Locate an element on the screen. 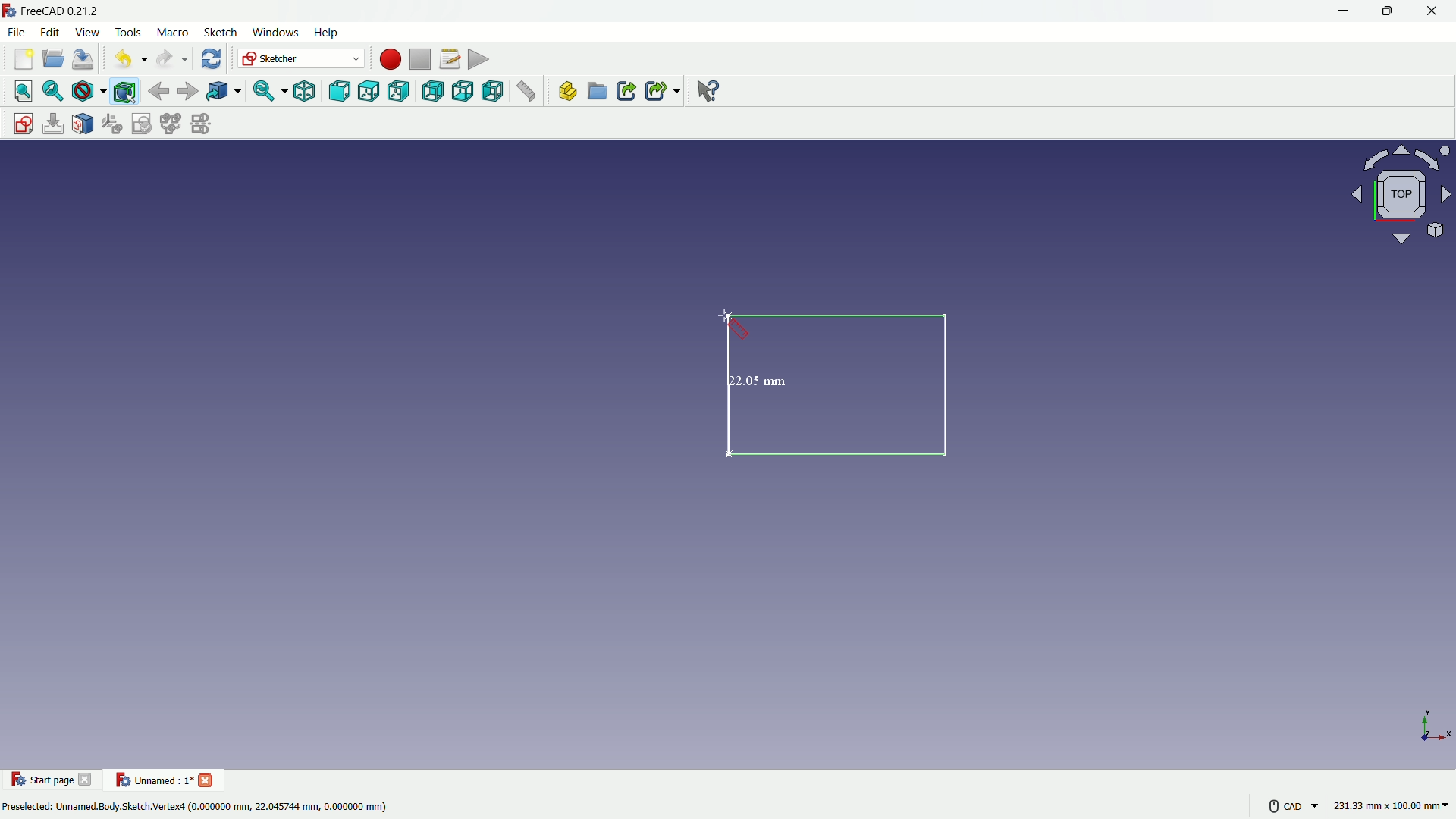 The height and width of the screenshot is (819, 1456). windows menu is located at coordinates (275, 32).